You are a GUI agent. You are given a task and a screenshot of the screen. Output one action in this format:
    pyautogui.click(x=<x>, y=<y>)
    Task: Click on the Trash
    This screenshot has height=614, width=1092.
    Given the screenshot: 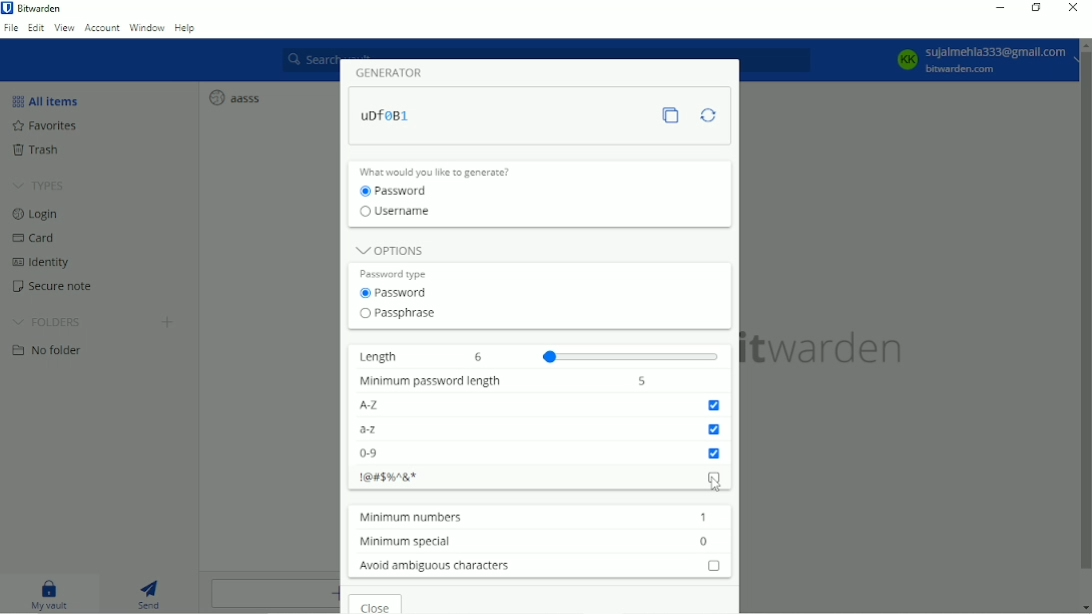 What is the action you would take?
    pyautogui.click(x=44, y=151)
    